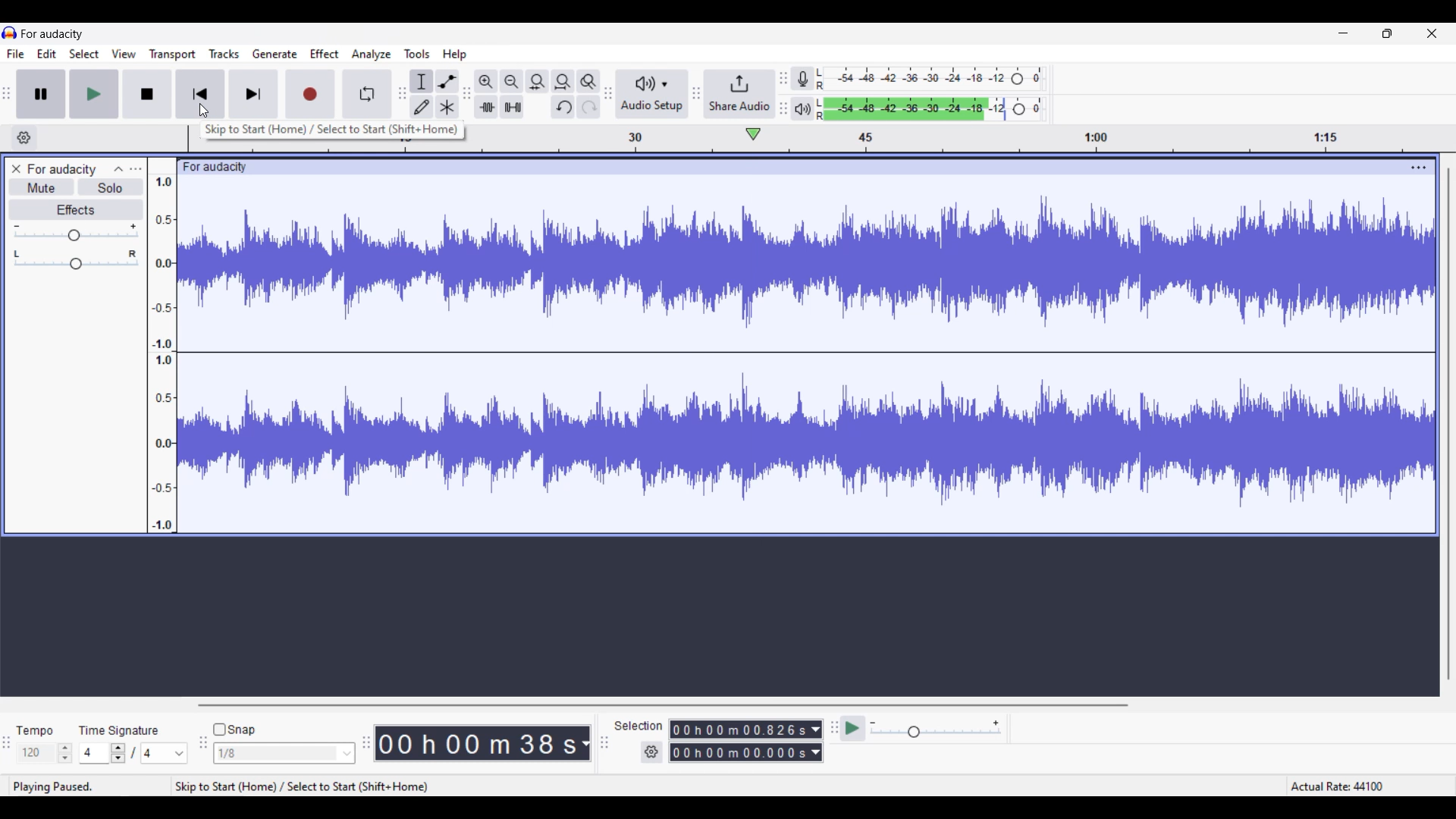 The image size is (1456, 819). What do you see at coordinates (201, 94) in the screenshot?
I see `Skip/Select to start` at bounding box center [201, 94].